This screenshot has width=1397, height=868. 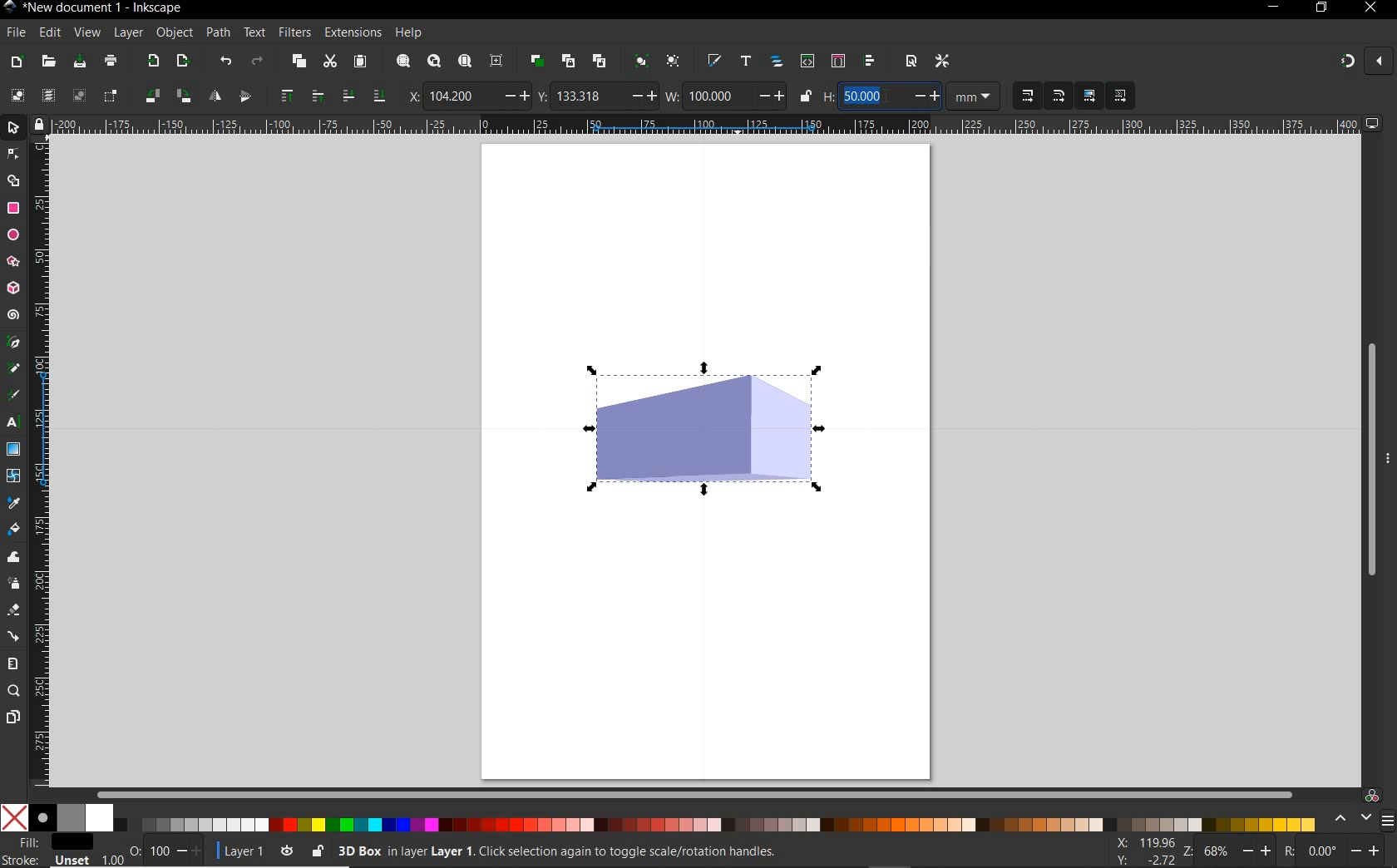 I want to click on raise selection, so click(x=315, y=96).